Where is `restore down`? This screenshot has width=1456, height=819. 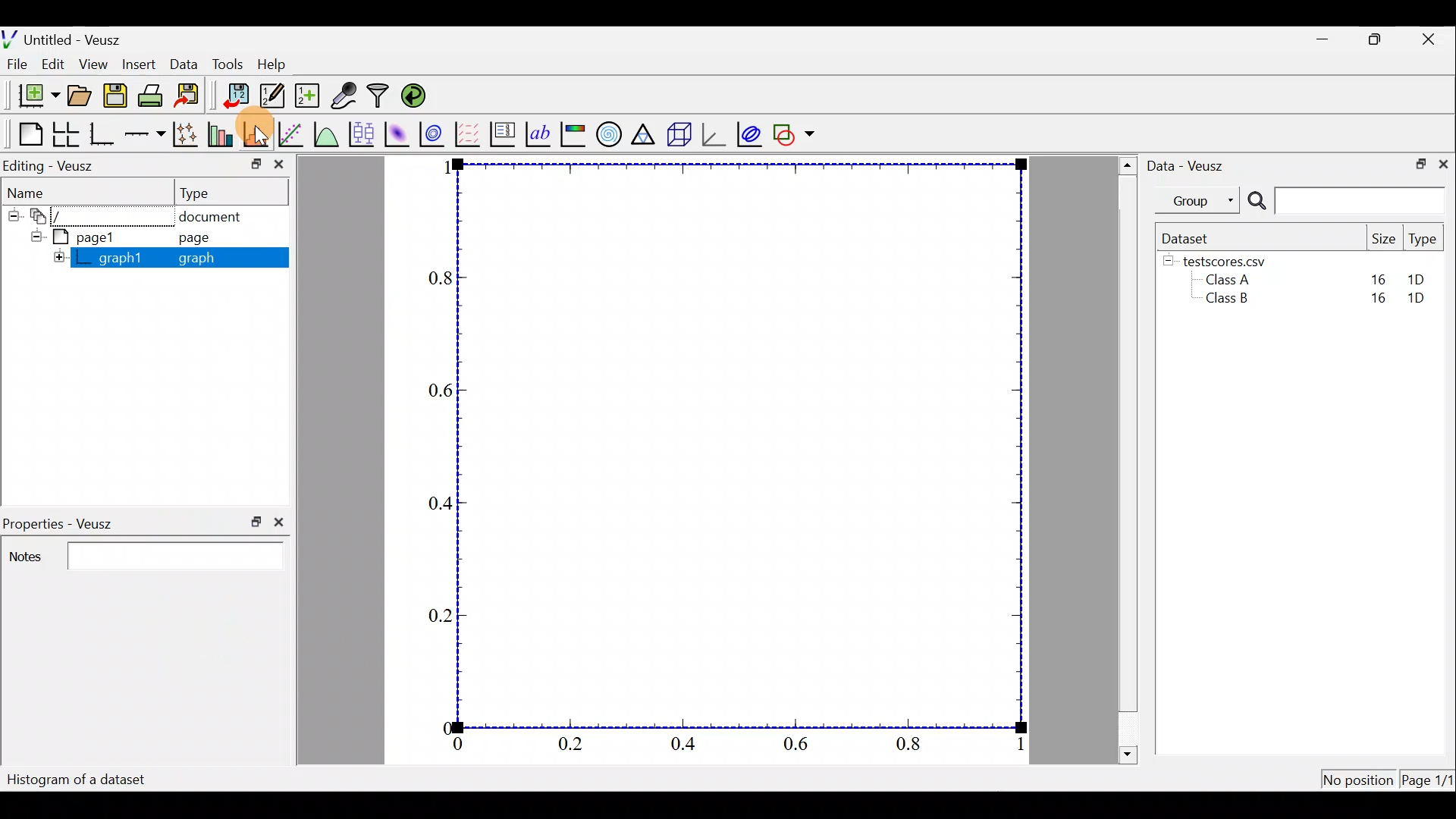 restore down is located at coordinates (252, 522).